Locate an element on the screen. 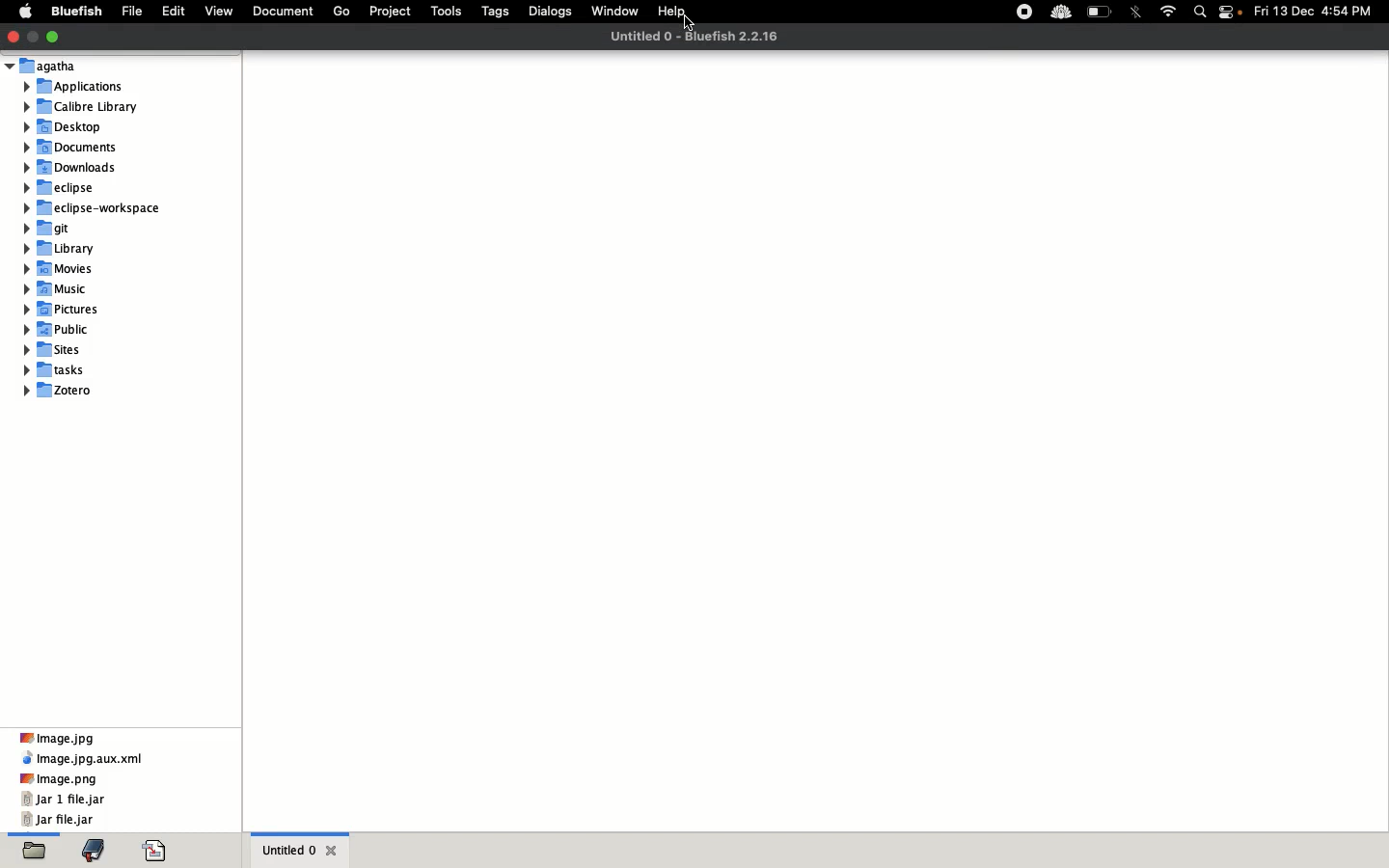  Edit is located at coordinates (174, 10).